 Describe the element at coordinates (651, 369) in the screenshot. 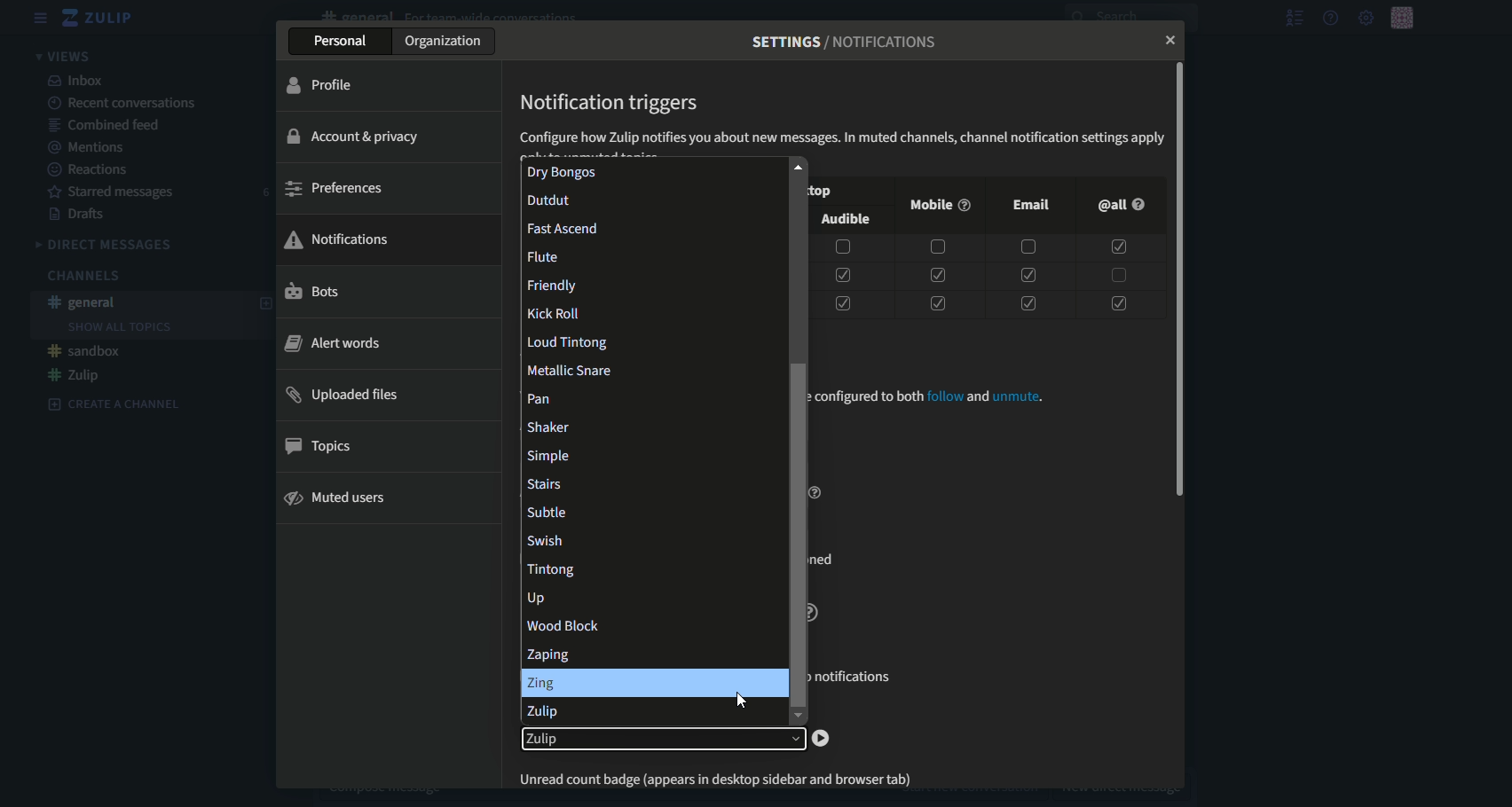

I see `metallic snare` at that location.